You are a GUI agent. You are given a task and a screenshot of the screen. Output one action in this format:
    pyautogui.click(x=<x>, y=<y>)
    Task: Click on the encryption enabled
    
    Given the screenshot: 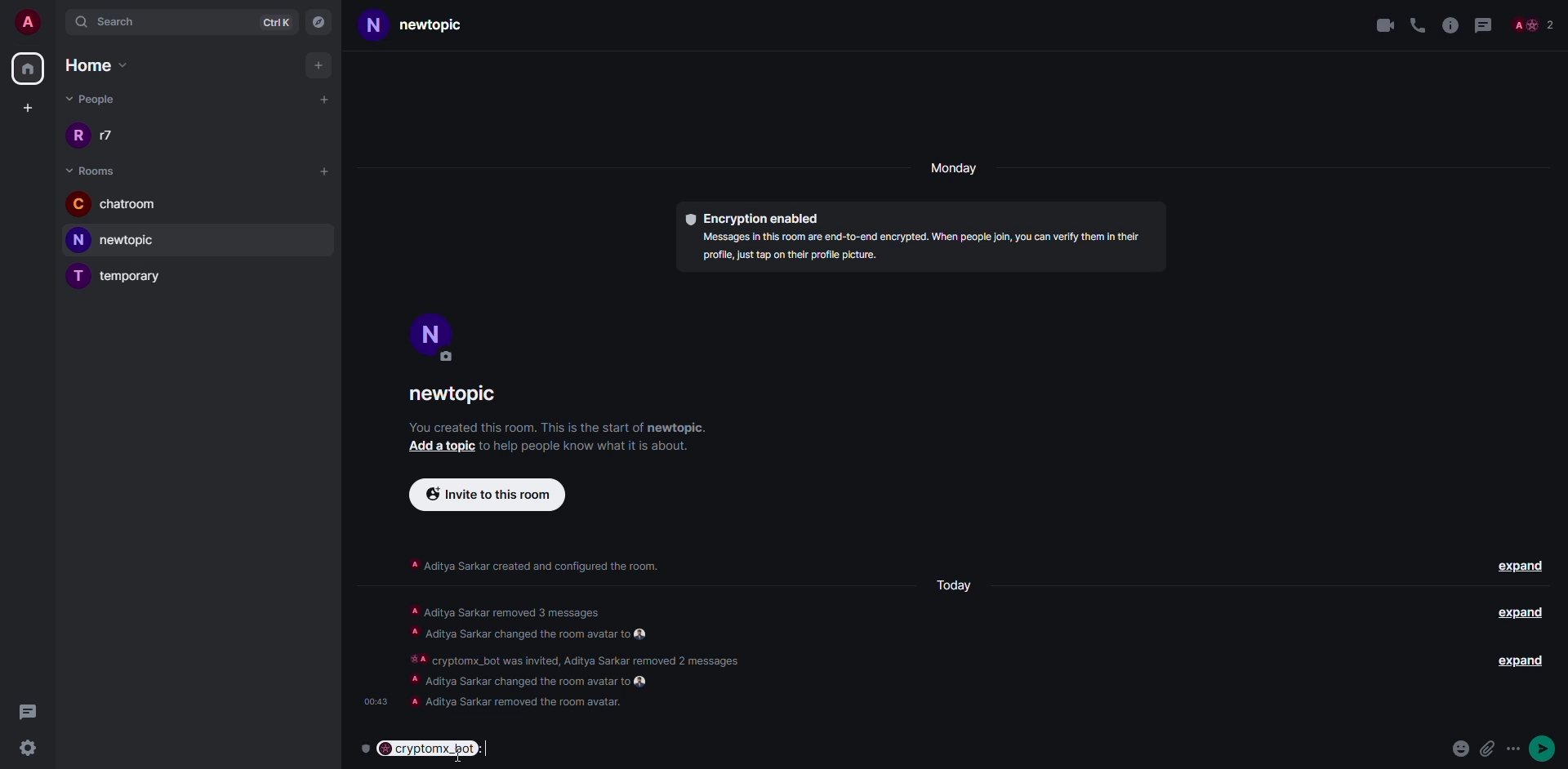 What is the action you would take?
    pyautogui.click(x=751, y=214)
    